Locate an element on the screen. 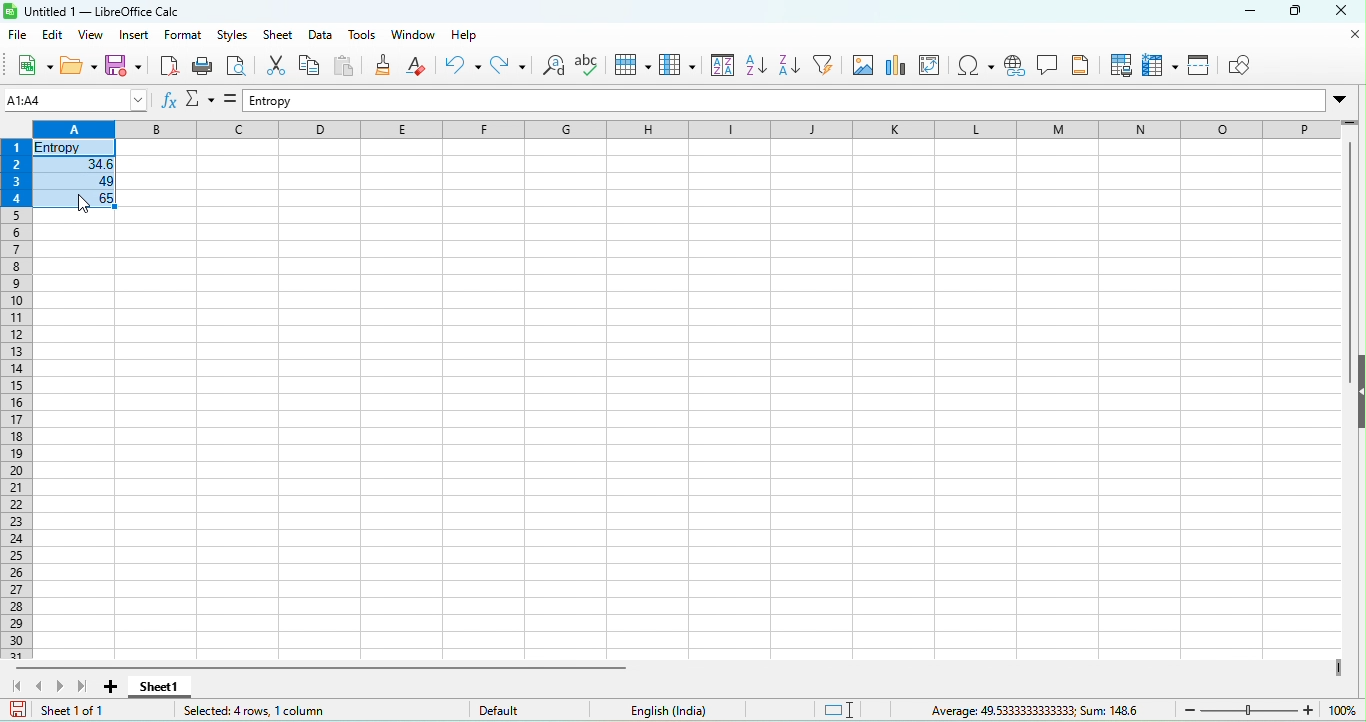 The height and width of the screenshot is (722, 1366). find and replace is located at coordinates (551, 67).